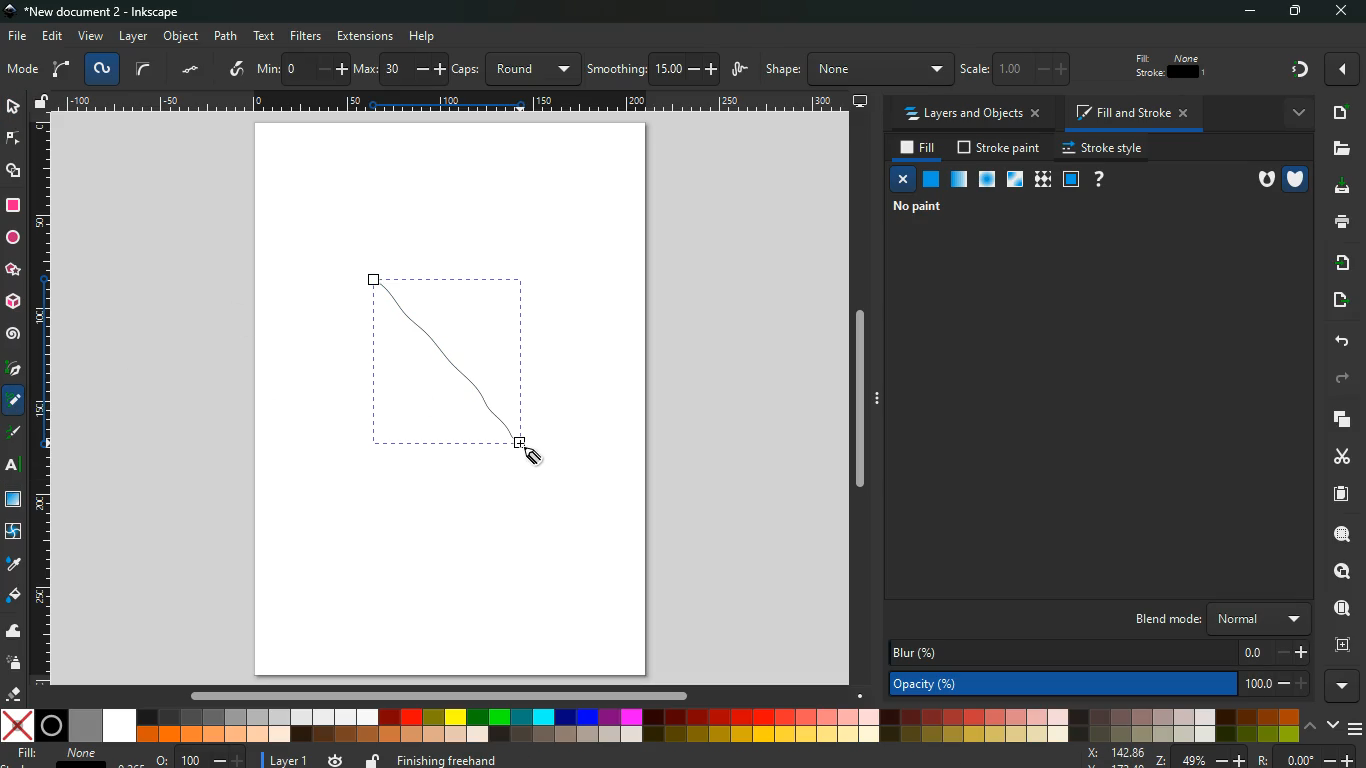  I want to click on forward, so click(1344, 379).